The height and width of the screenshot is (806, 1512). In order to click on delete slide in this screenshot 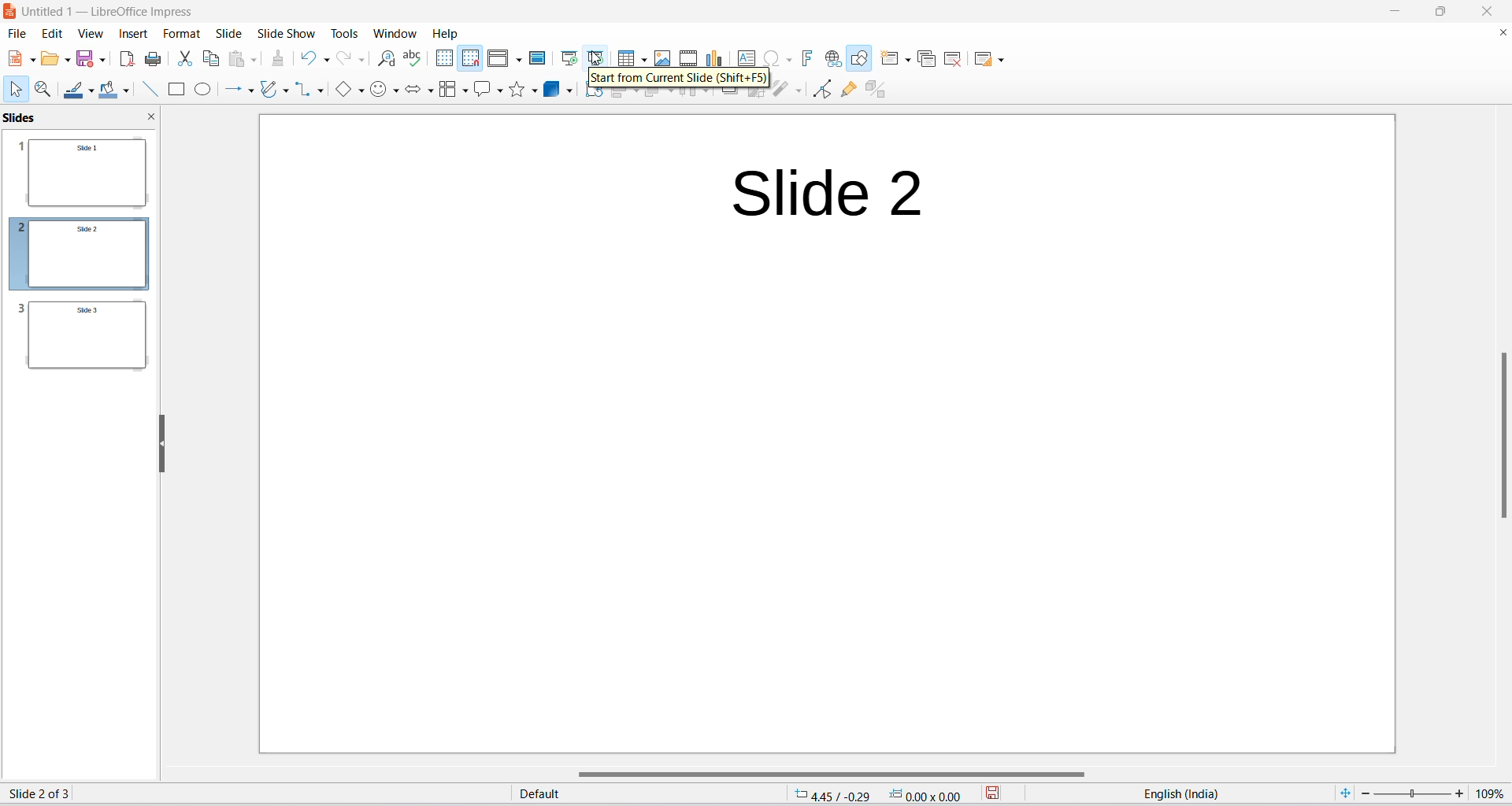, I will do `click(954, 57)`.